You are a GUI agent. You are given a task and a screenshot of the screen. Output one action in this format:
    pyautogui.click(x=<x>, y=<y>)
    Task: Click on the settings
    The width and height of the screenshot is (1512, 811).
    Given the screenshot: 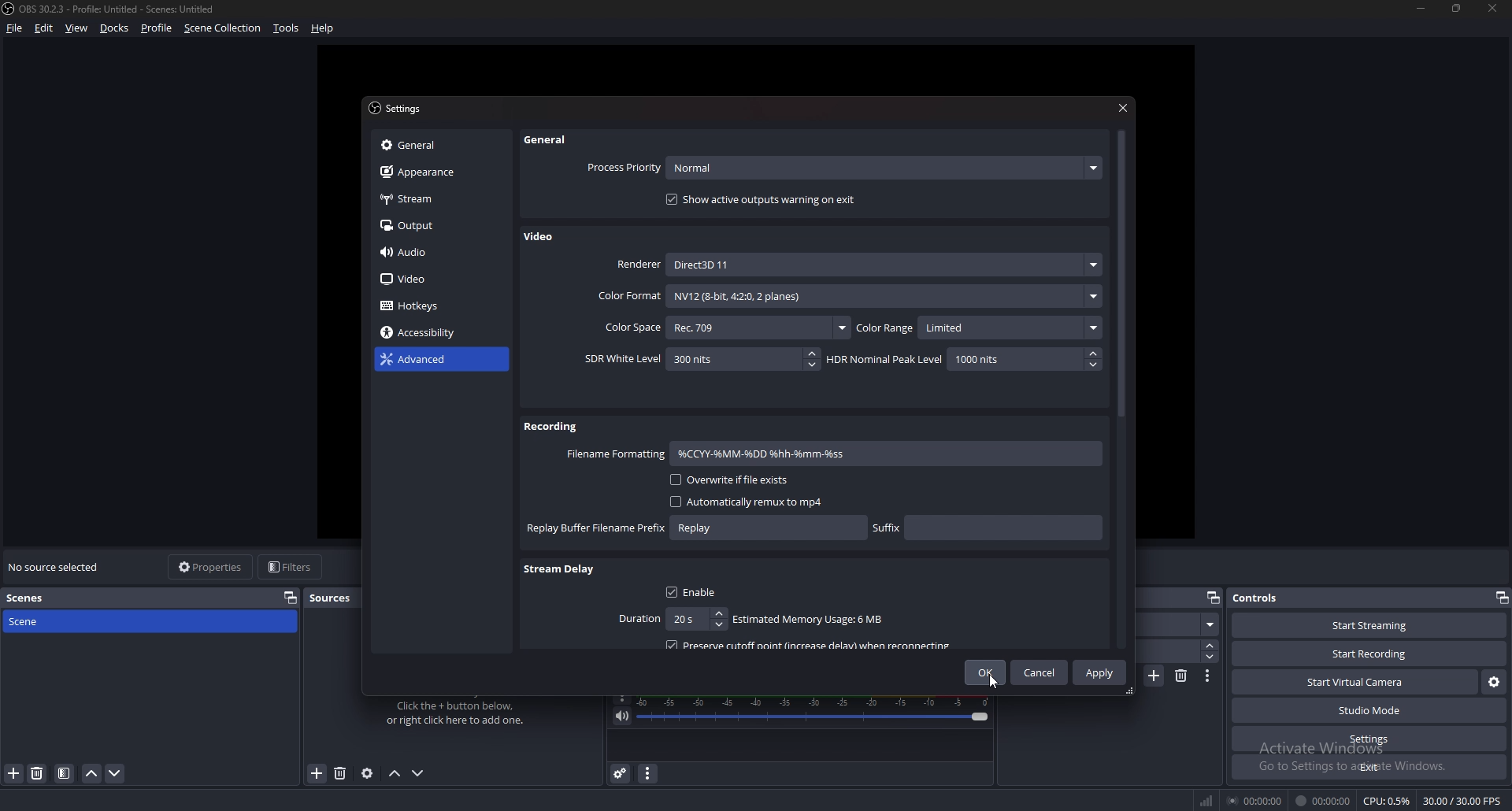 What is the action you would take?
    pyautogui.click(x=1369, y=739)
    